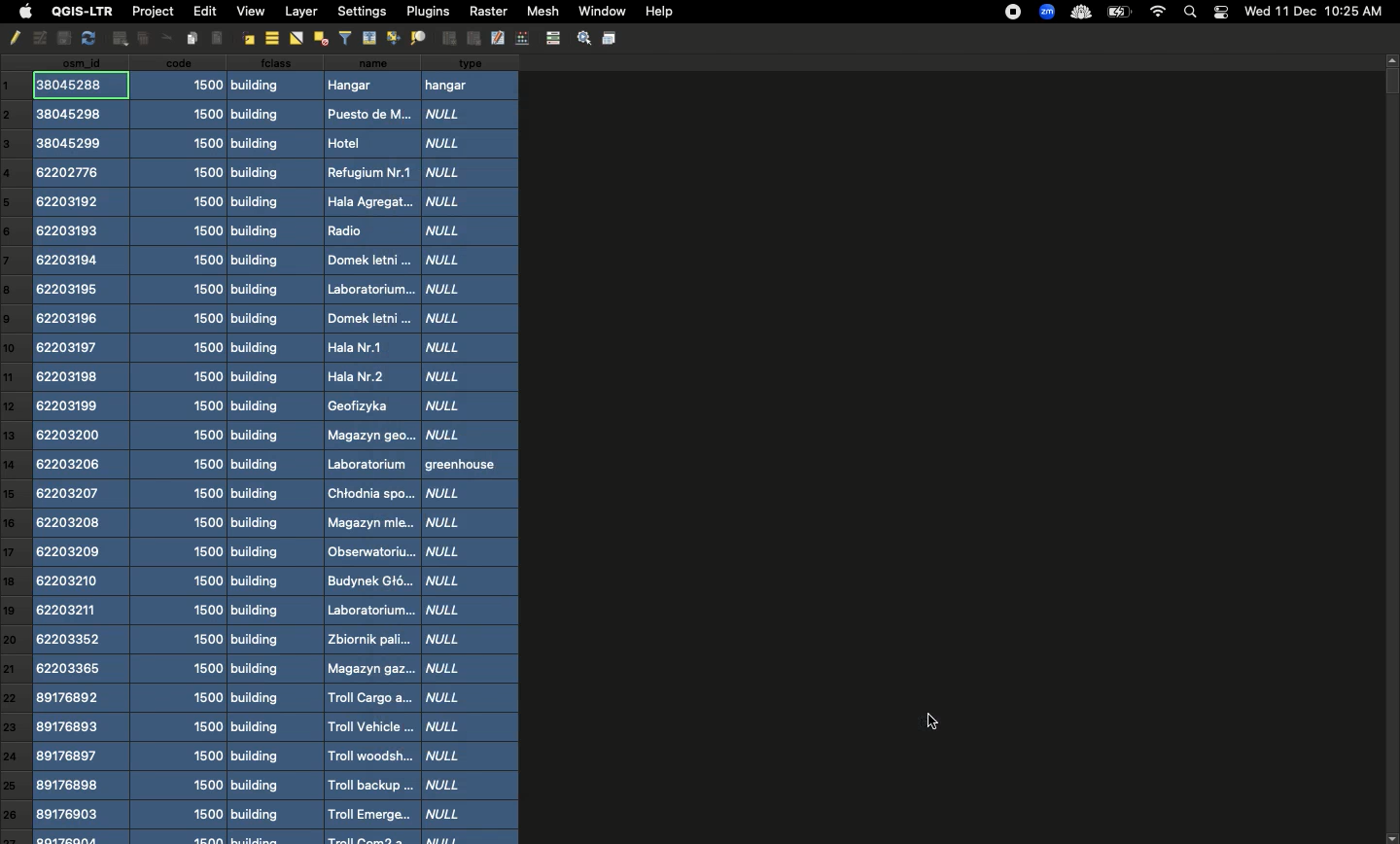 This screenshot has height=844, width=1400. I want to click on Save, so click(611, 38).